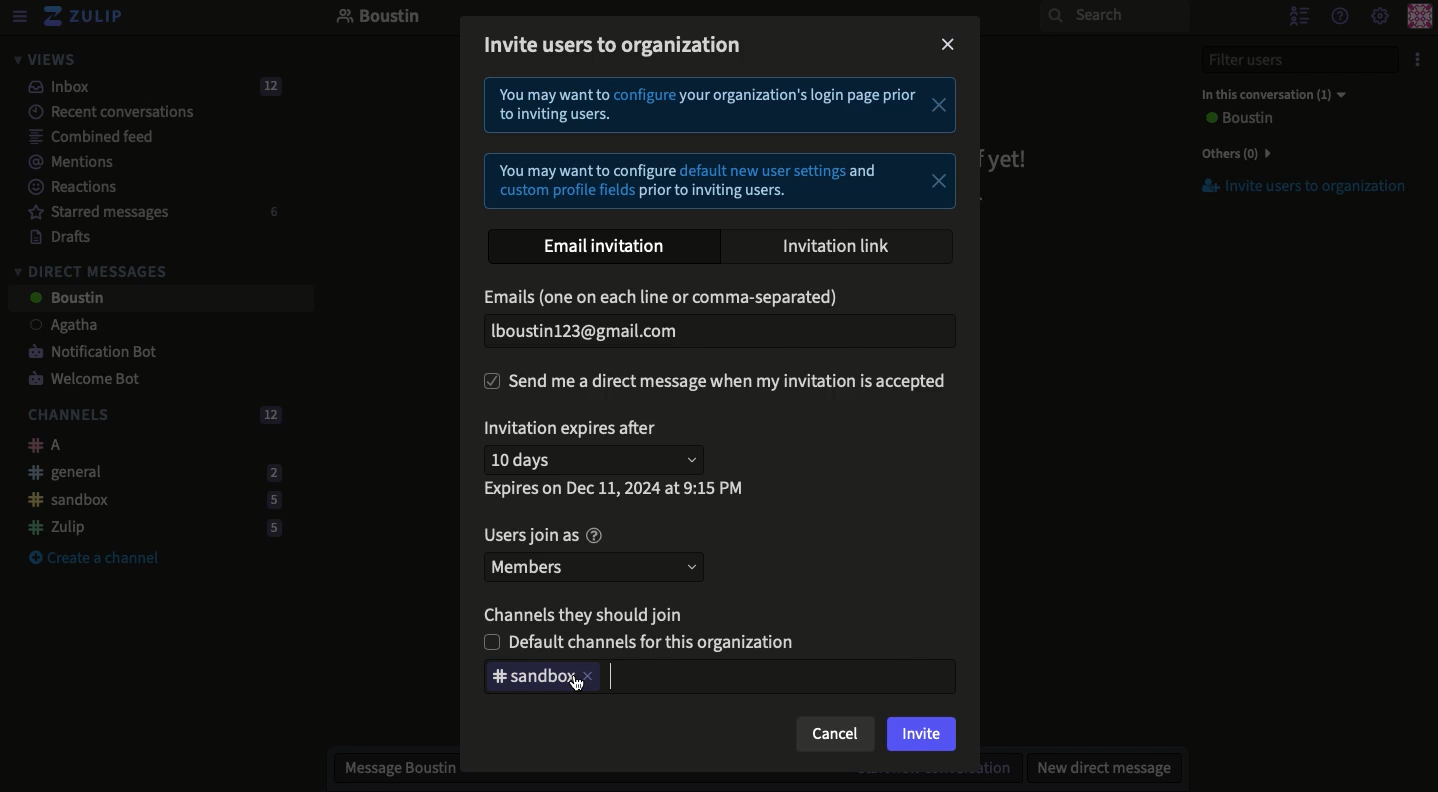 This screenshot has height=792, width=1438. What do you see at coordinates (39, 445) in the screenshot?
I see `A` at bounding box center [39, 445].